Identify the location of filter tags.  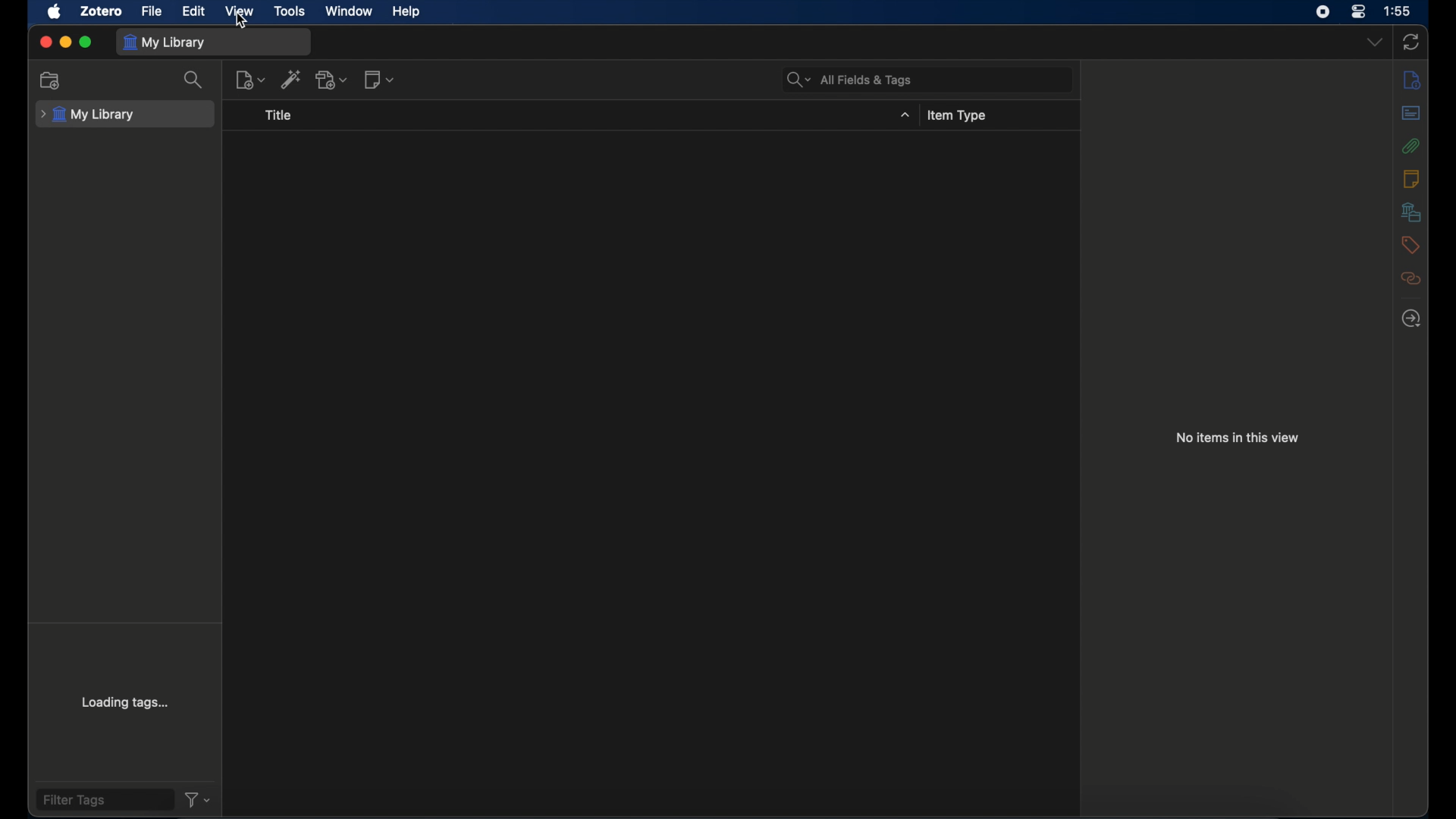
(74, 801).